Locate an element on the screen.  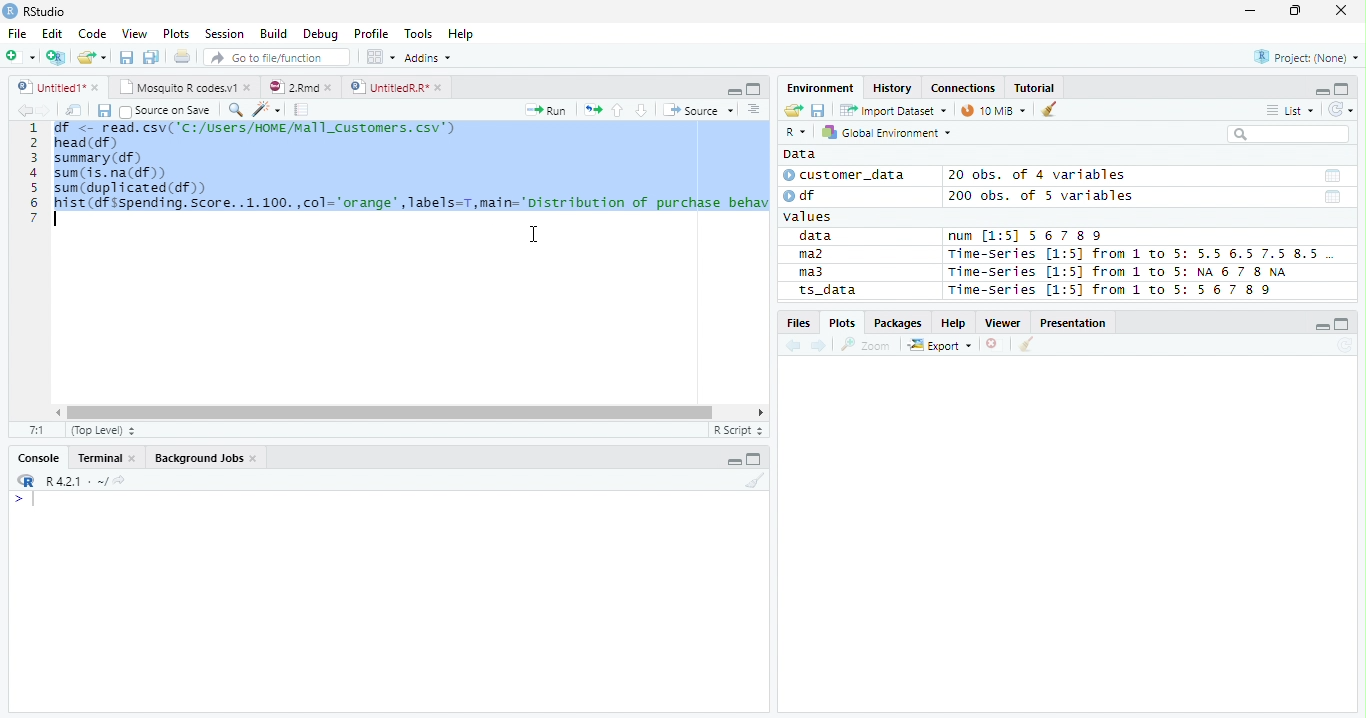
List is located at coordinates (1289, 111).